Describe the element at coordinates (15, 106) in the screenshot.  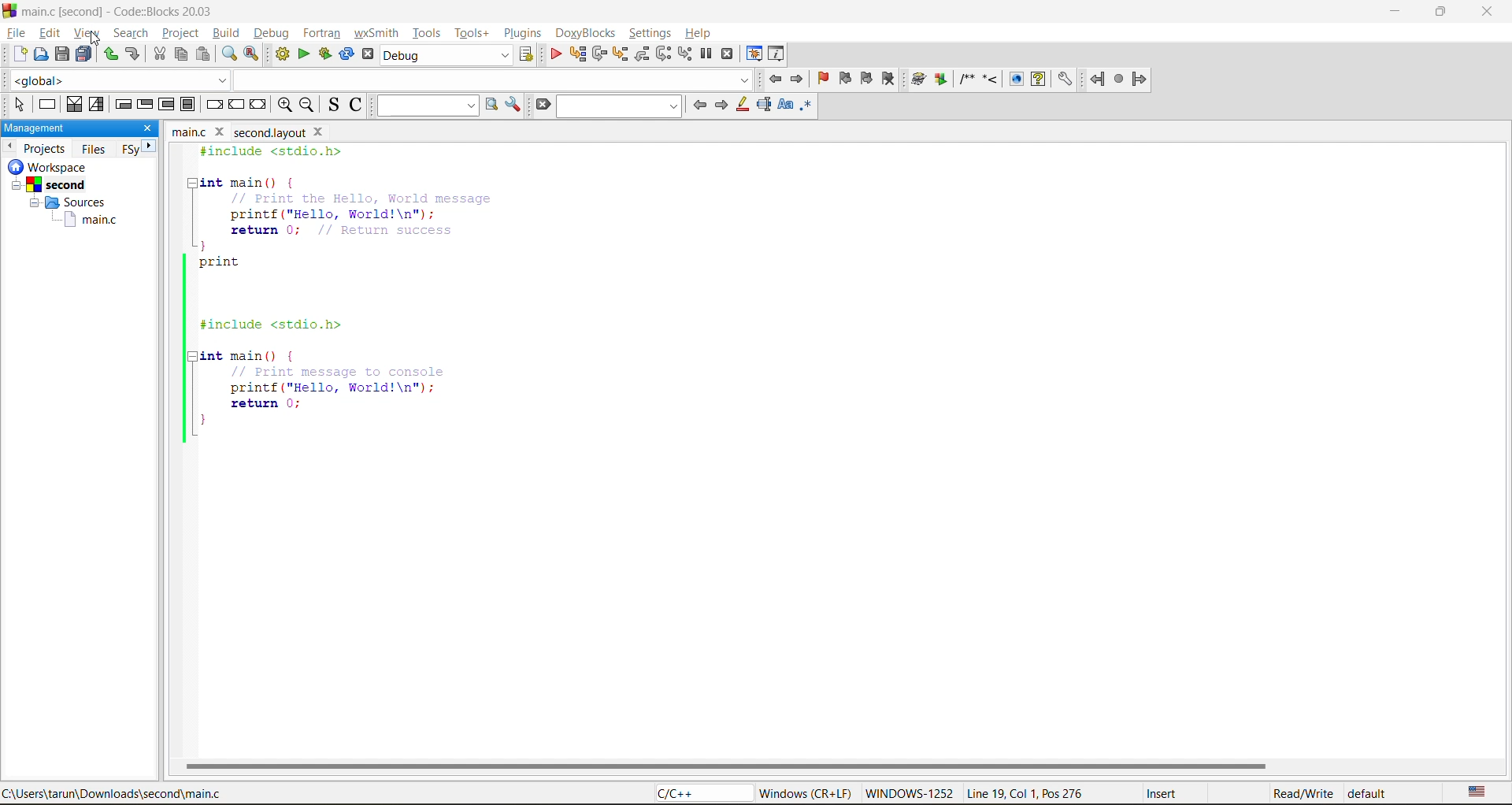
I see `select` at that location.